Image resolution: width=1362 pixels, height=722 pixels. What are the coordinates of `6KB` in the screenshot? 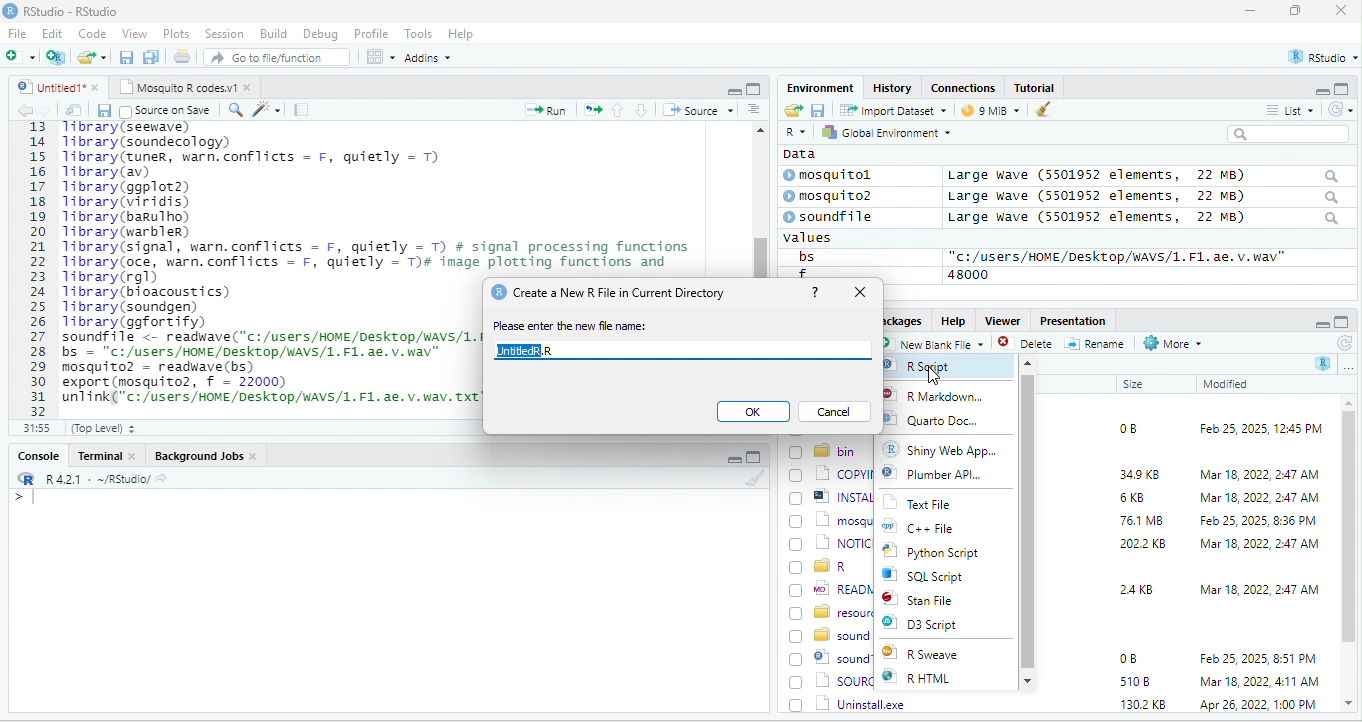 It's located at (1133, 498).